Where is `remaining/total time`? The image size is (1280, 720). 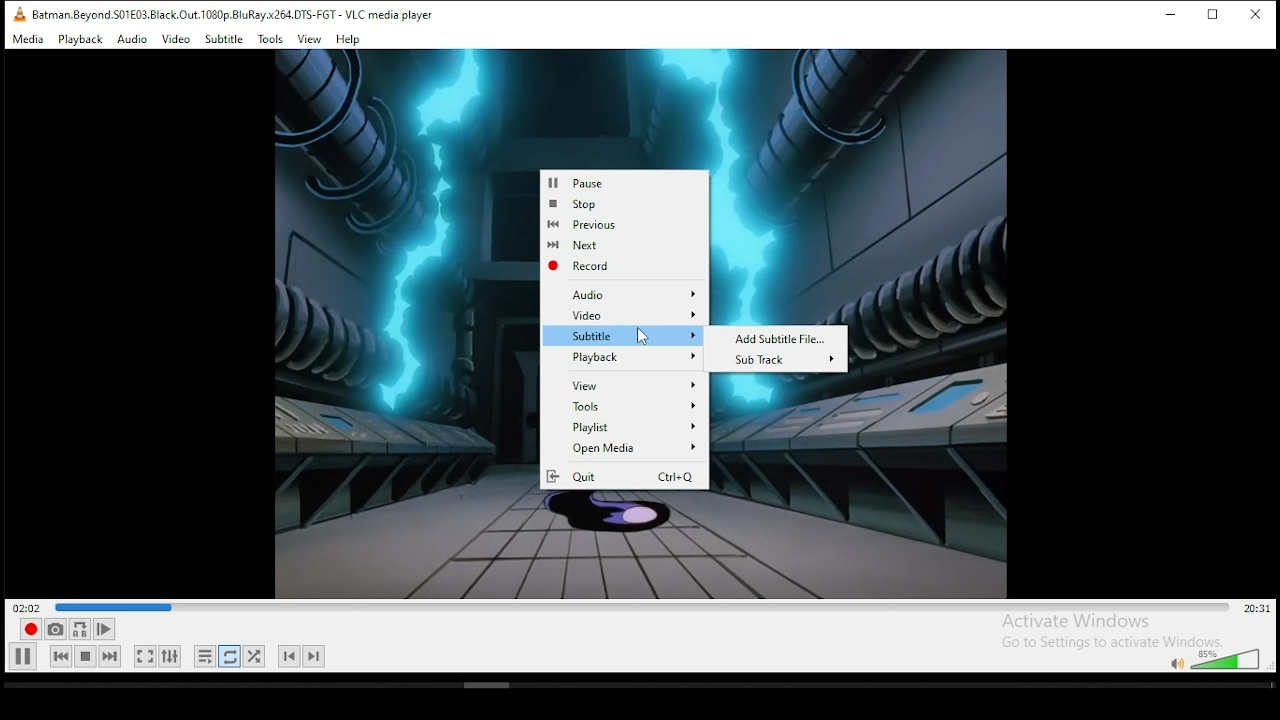 remaining/total time is located at coordinates (1256, 608).